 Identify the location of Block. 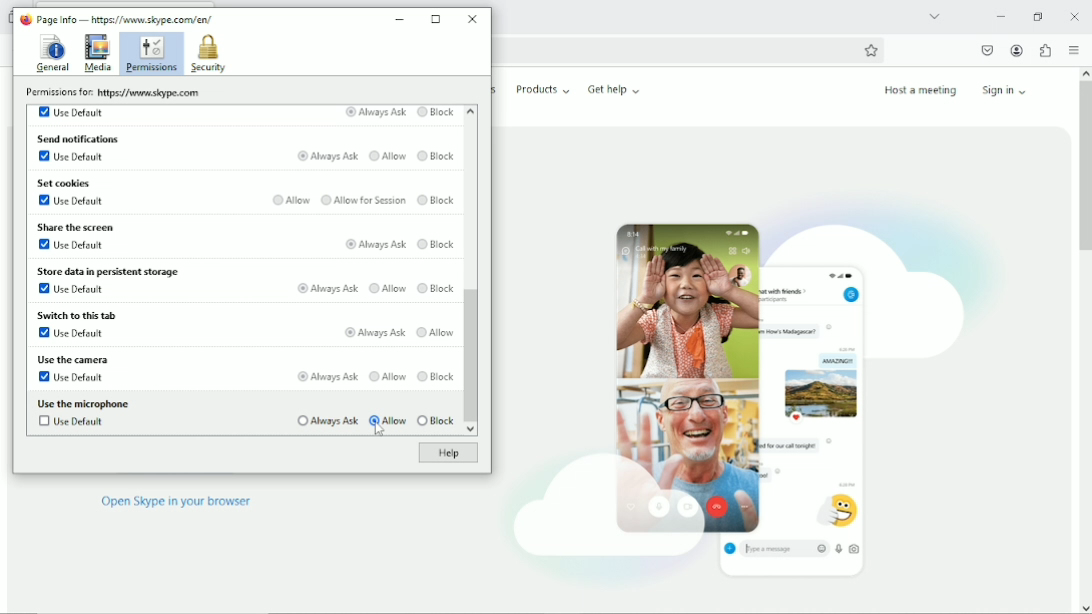
(436, 113).